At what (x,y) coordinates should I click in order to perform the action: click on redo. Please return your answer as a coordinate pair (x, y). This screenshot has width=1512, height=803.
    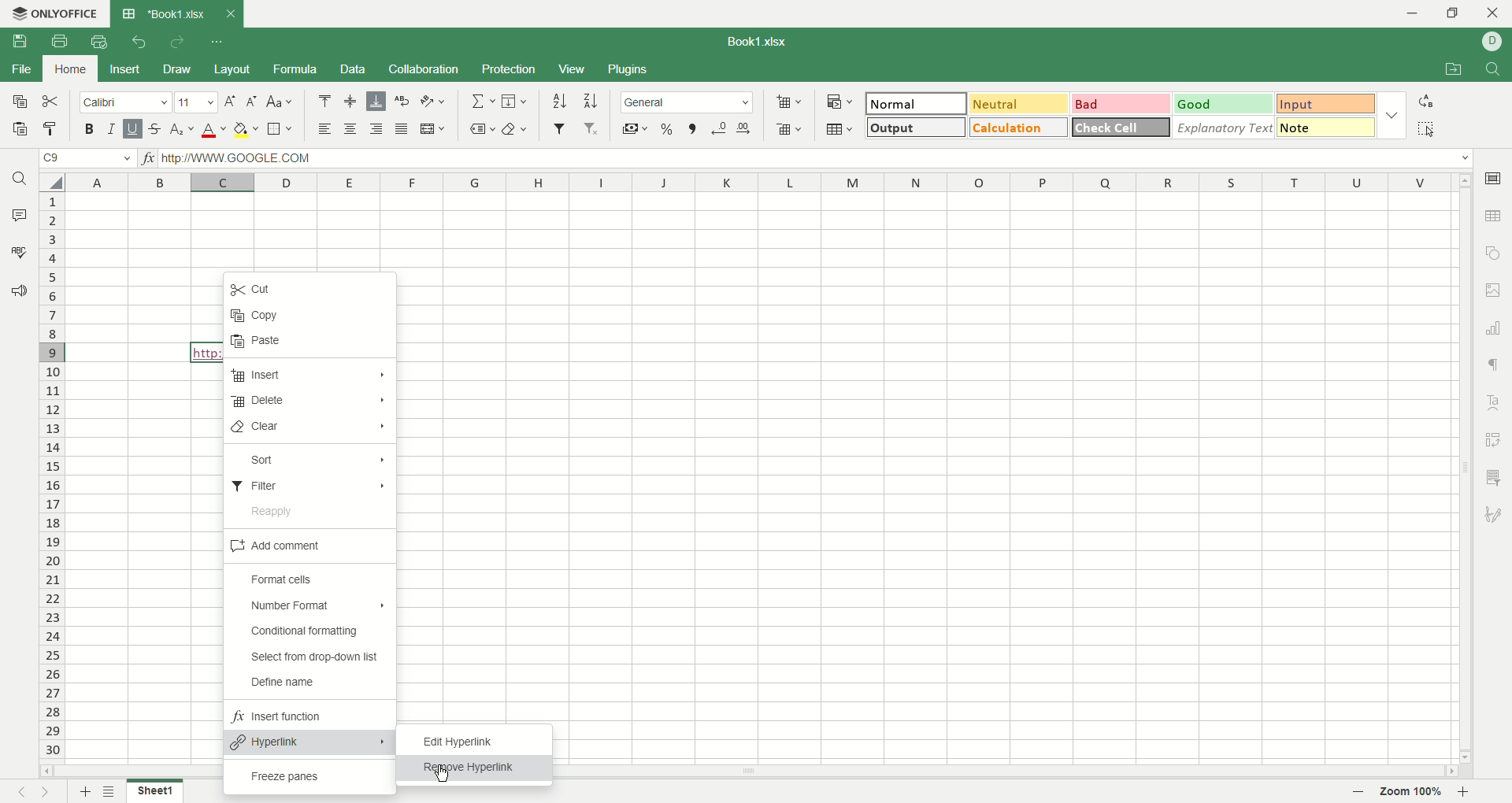
    Looking at the image, I should click on (177, 43).